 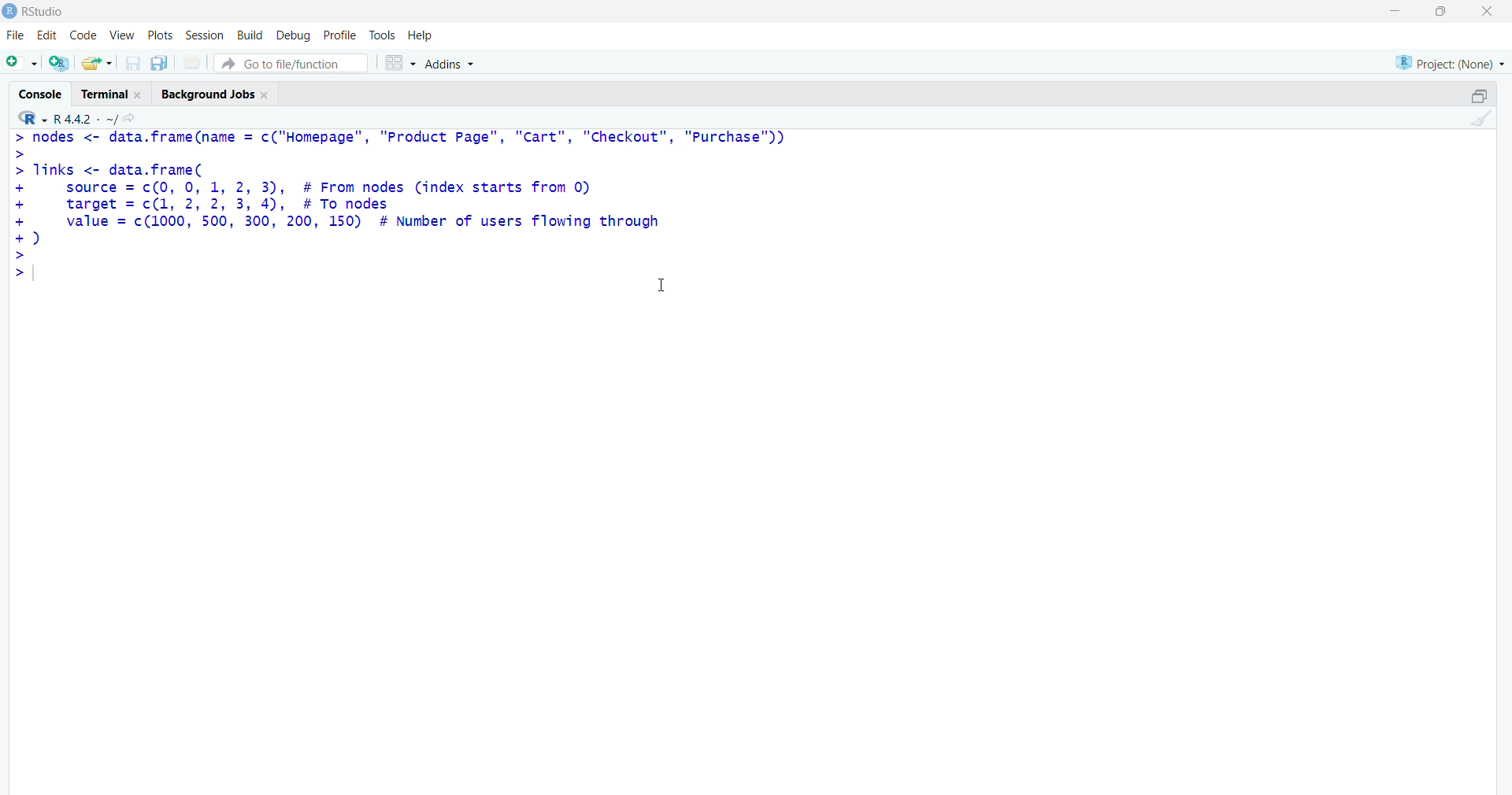 I want to click on file, so click(x=194, y=62).